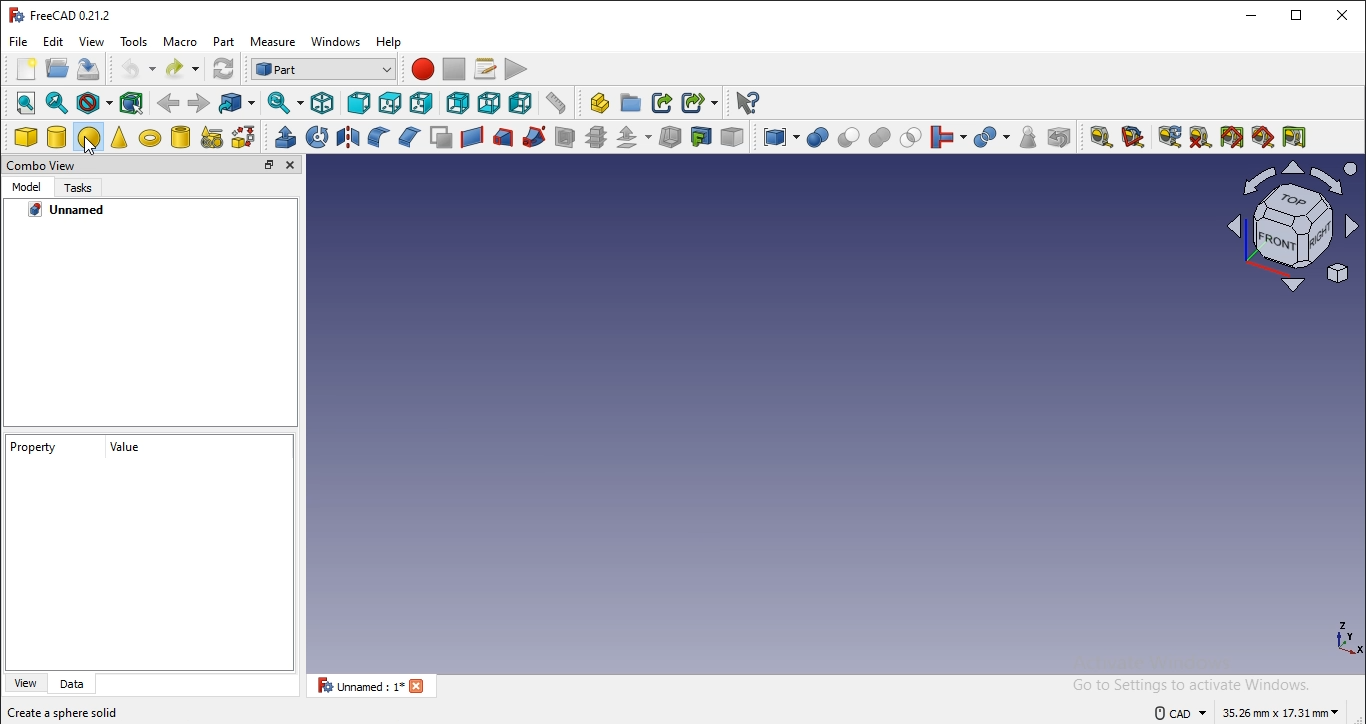 This screenshot has height=724, width=1366. What do you see at coordinates (1100, 136) in the screenshot?
I see `measure linear` at bounding box center [1100, 136].